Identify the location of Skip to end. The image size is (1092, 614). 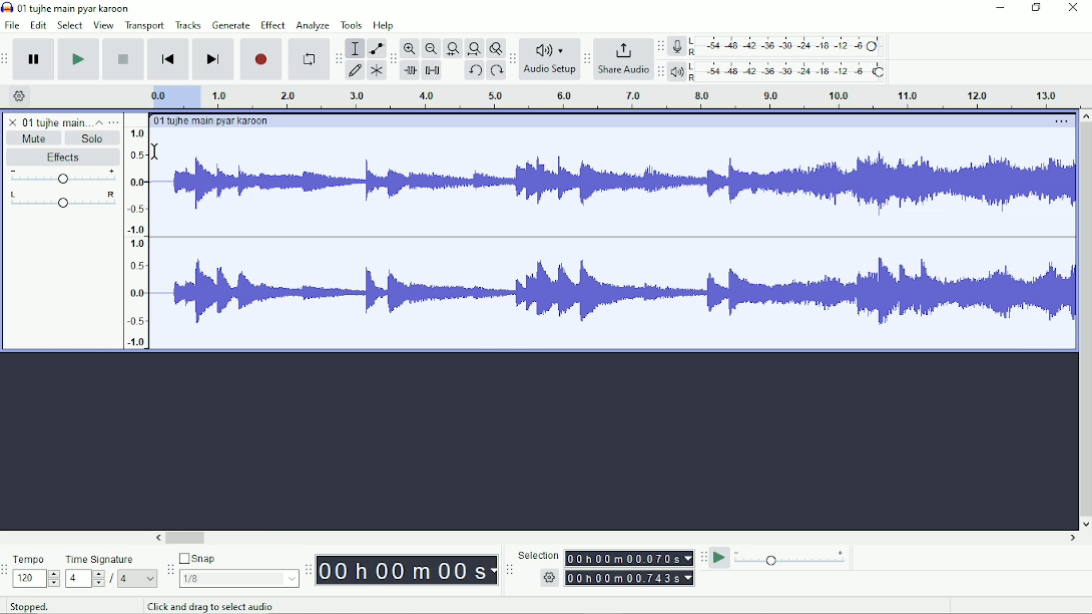
(213, 60).